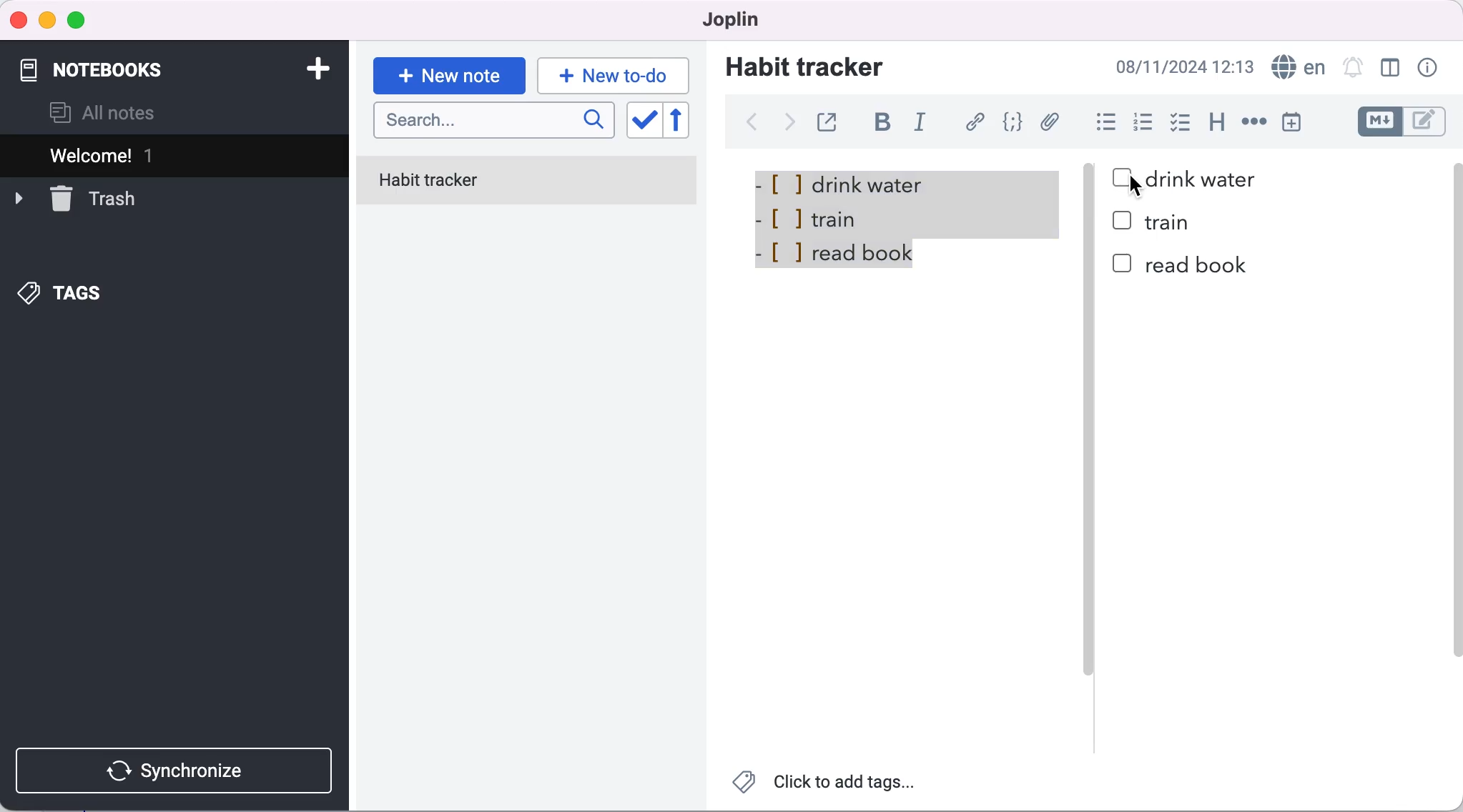 The height and width of the screenshot is (812, 1463). Describe the element at coordinates (1198, 264) in the screenshot. I see `Read book` at that location.